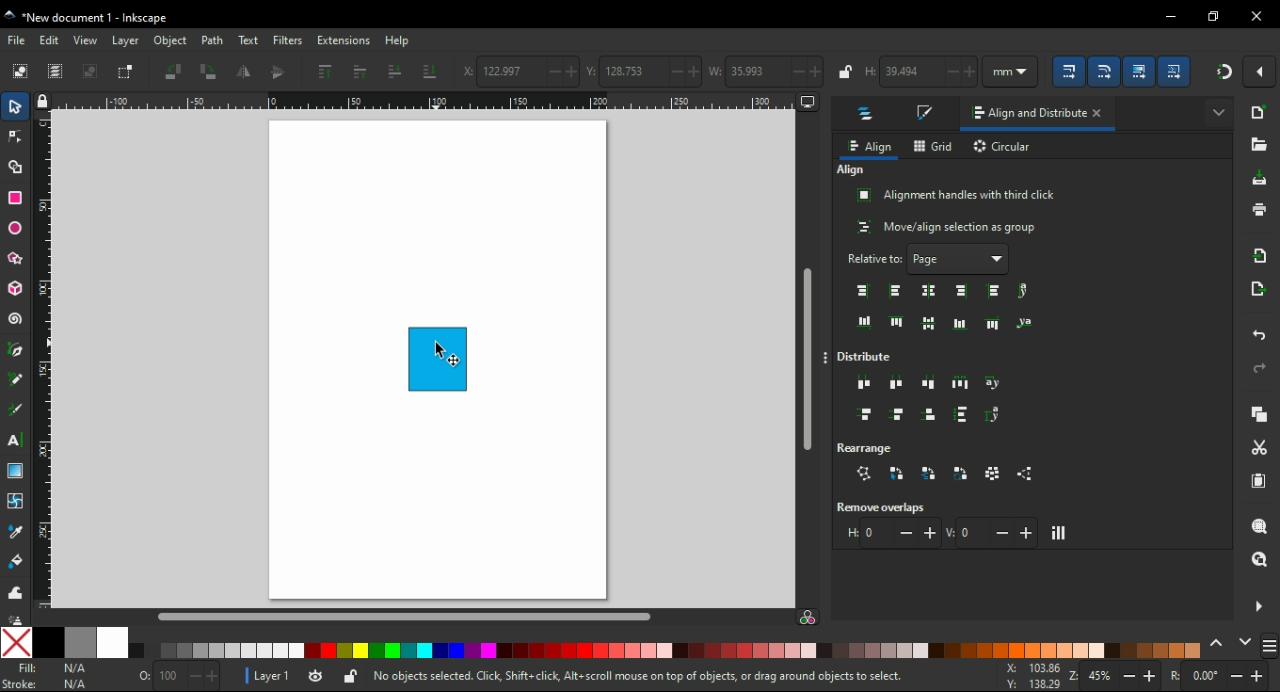  Describe the element at coordinates (1103, 73) in the screenshot. I see `when scaling rectancle, scale the radii in same proportion` at that location.